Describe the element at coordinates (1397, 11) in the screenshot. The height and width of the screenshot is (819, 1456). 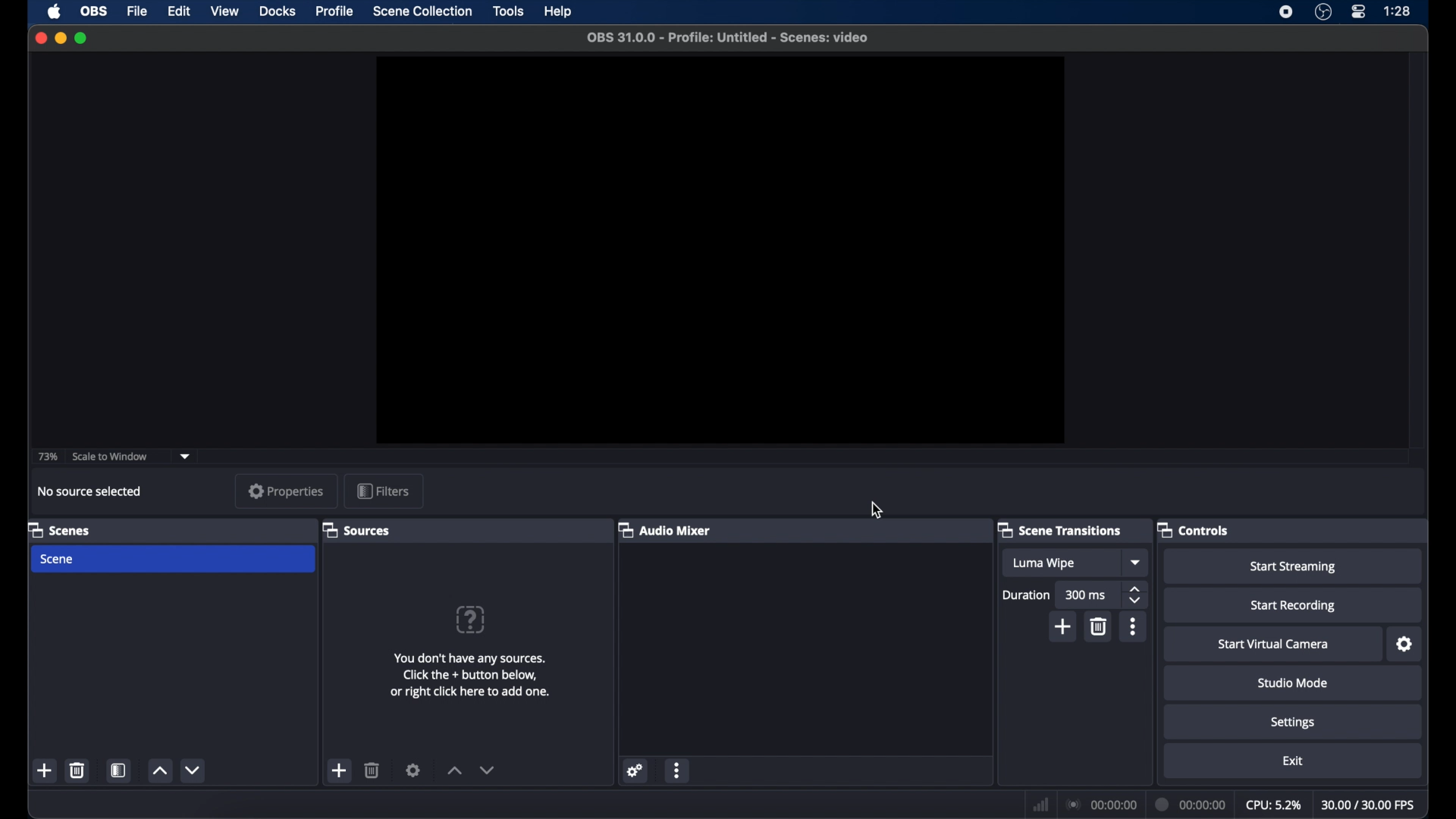
I see `time` at that location.